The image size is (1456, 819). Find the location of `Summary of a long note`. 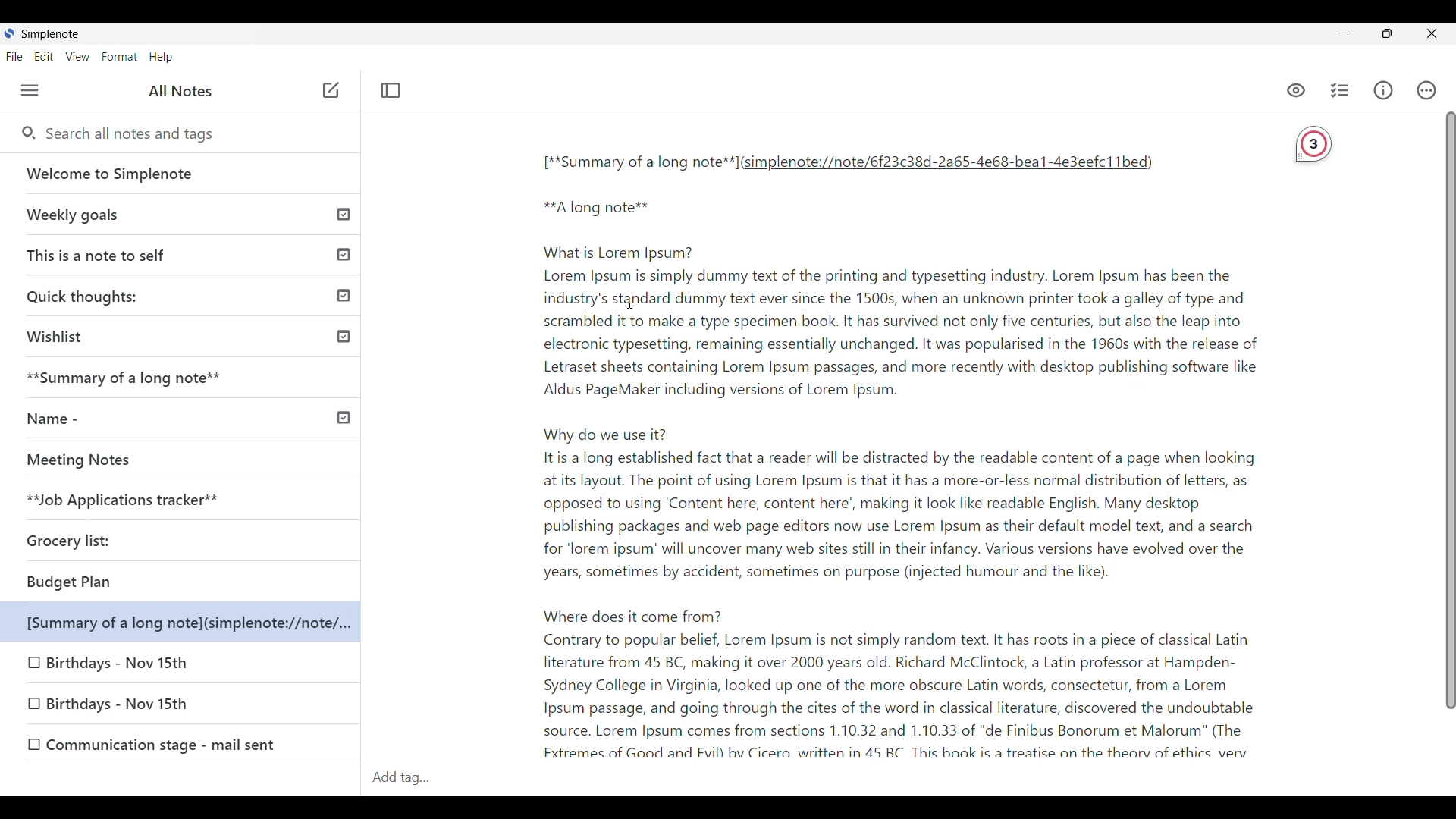

Summary of a long note is located at coordinates (184, 376).